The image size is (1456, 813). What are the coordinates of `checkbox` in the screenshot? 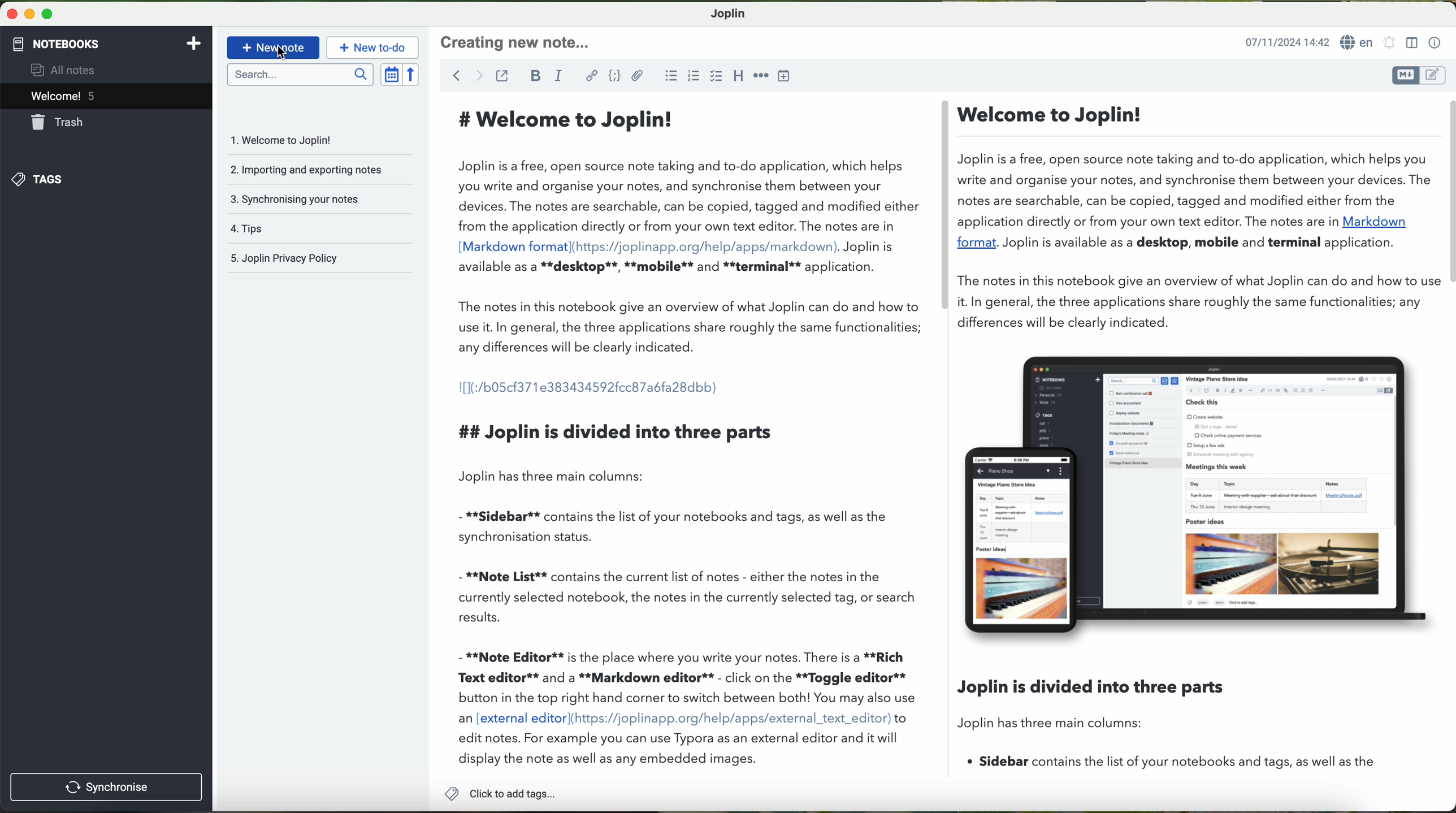 It's located at (716, 77).